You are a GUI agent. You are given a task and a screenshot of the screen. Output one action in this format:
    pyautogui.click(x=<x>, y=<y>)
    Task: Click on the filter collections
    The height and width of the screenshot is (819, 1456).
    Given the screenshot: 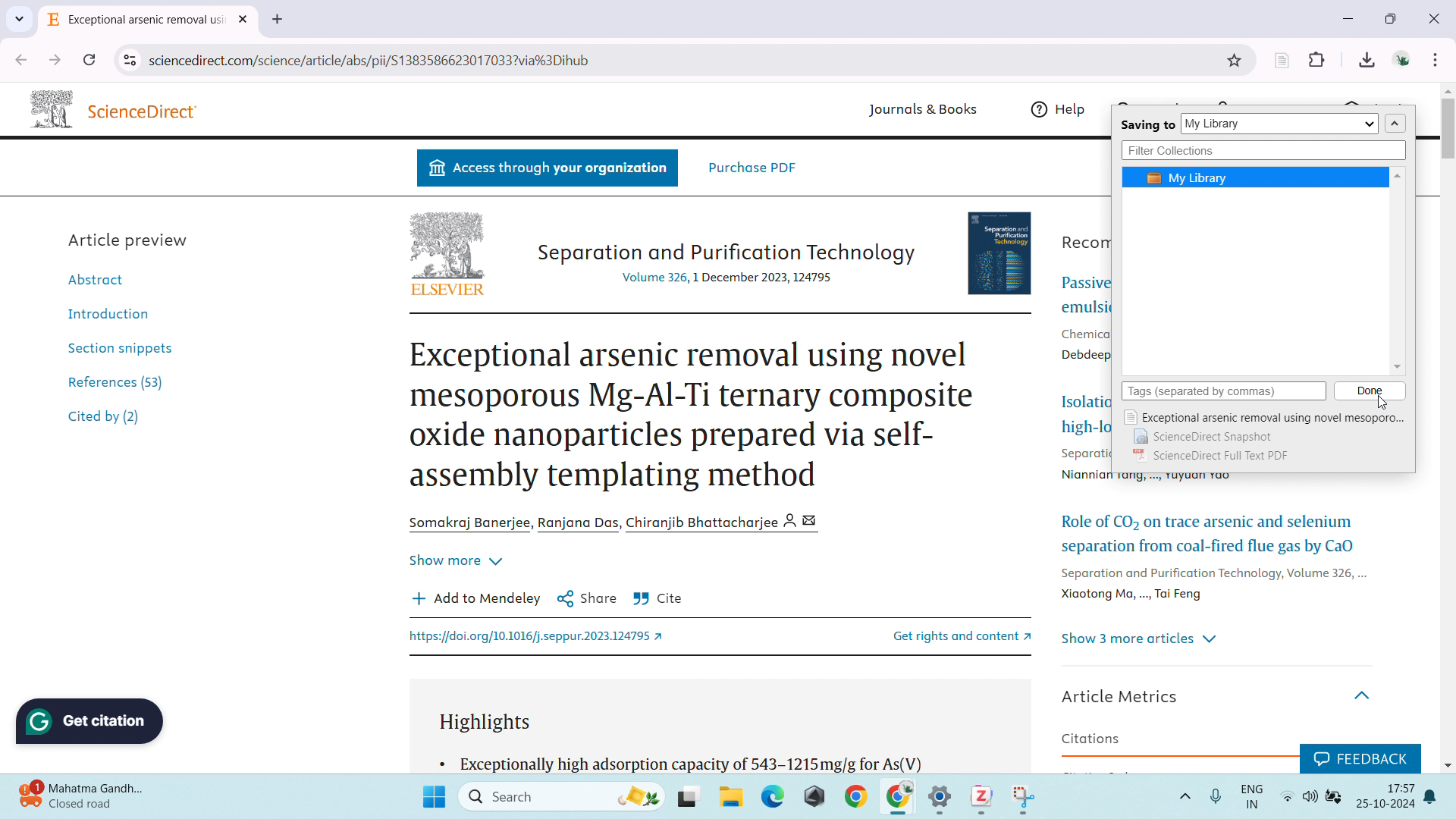 What is the action you would take?
    pyautogui.click(x=1263, y=151)
    